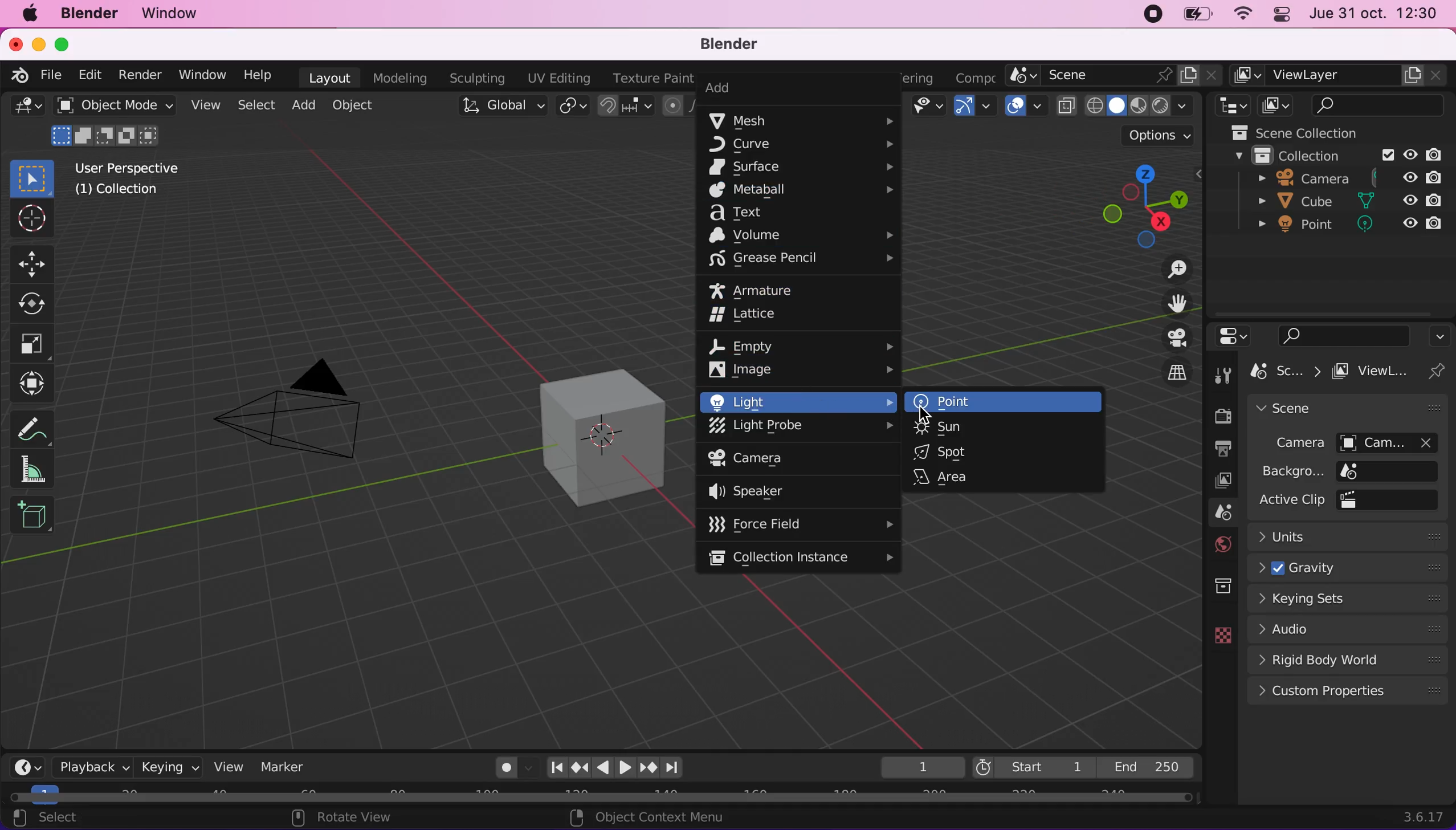 The height and width of the screenshot is (830, 1456). I want to click on disable in renders, so click(1434, 201).